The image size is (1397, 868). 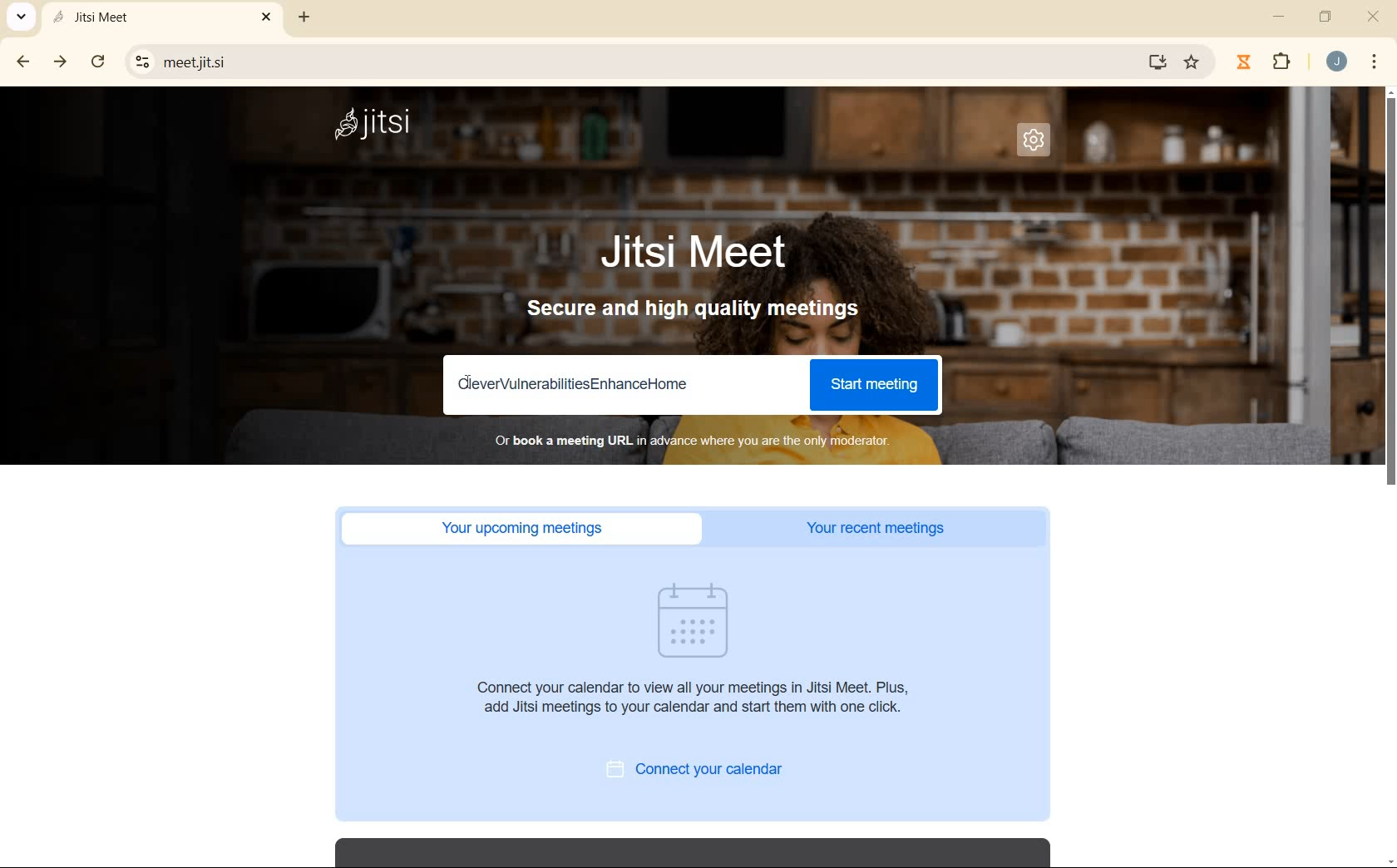 What do you see at coordinates (98, 62) in the screenshot?
I see `RELOAD` at bounding box center [98, 62].